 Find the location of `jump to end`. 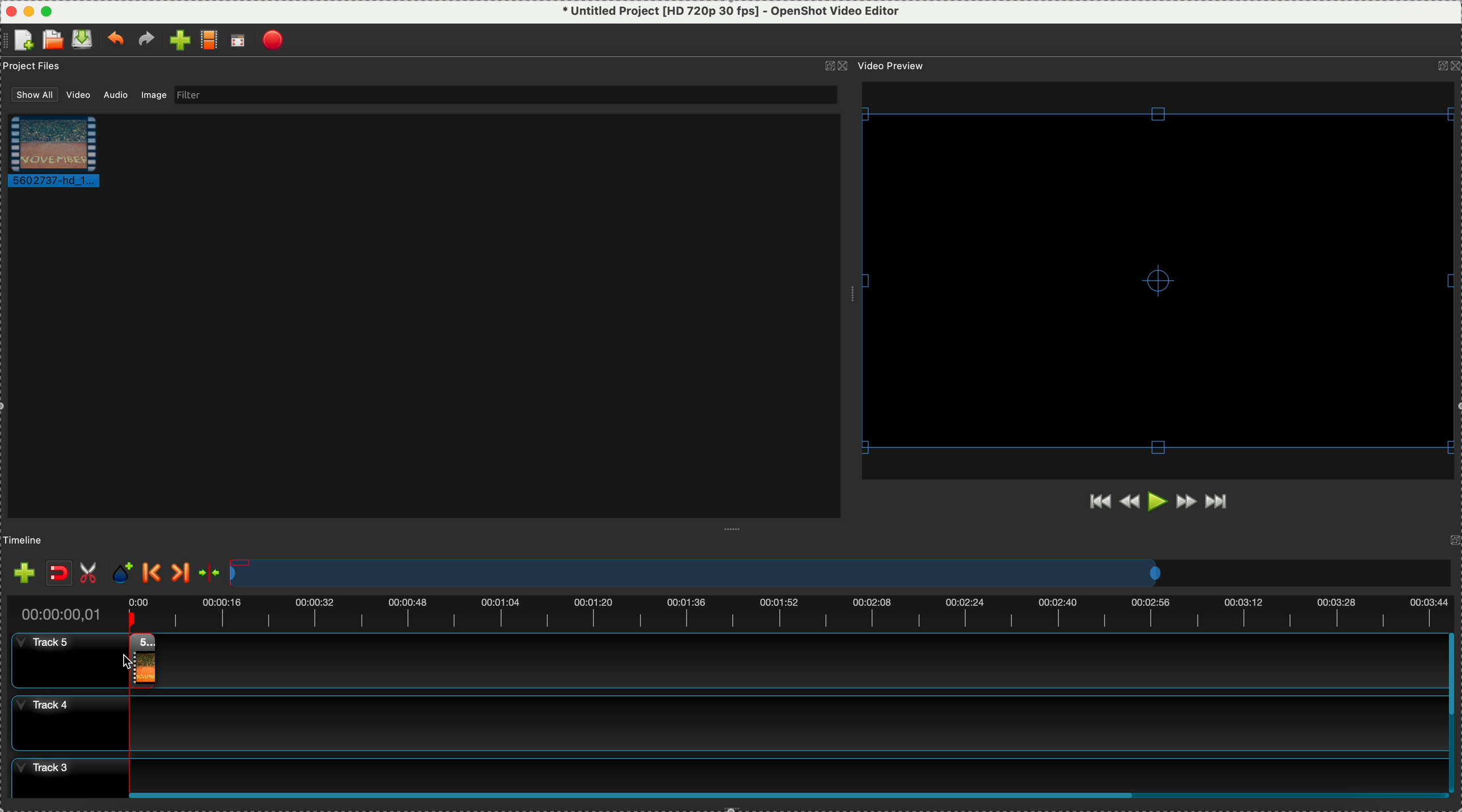

jump to end is located at coordinates (1221, 504).